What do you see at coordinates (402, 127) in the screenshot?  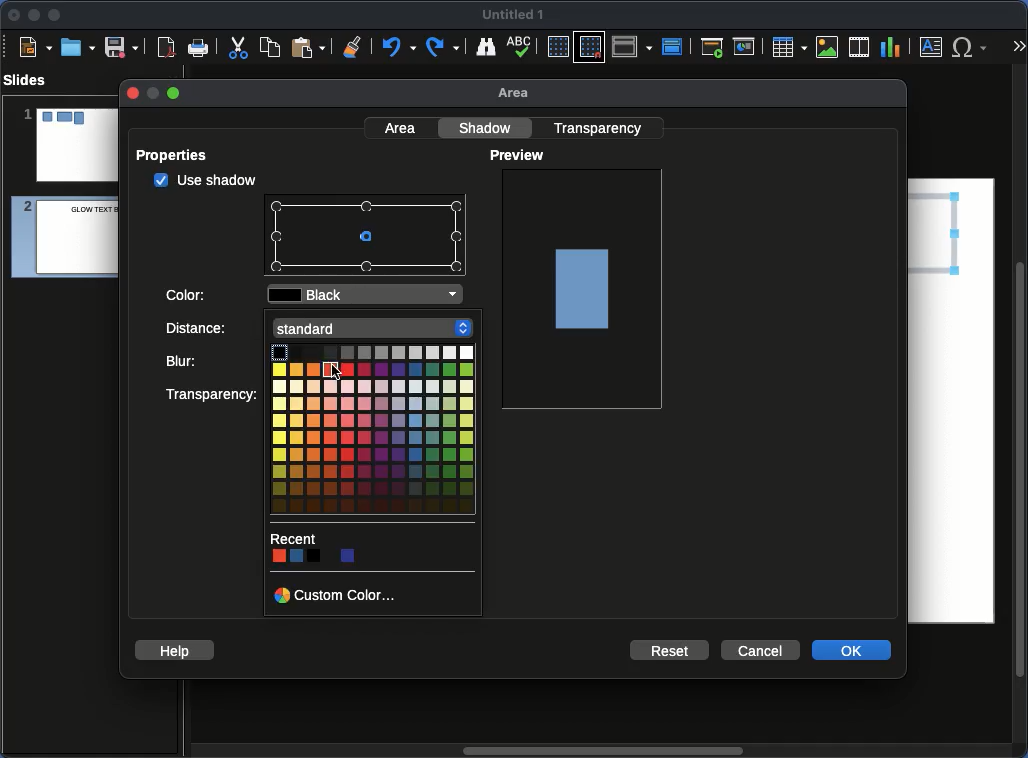 I see `Area` at bounding box center [402, 127].